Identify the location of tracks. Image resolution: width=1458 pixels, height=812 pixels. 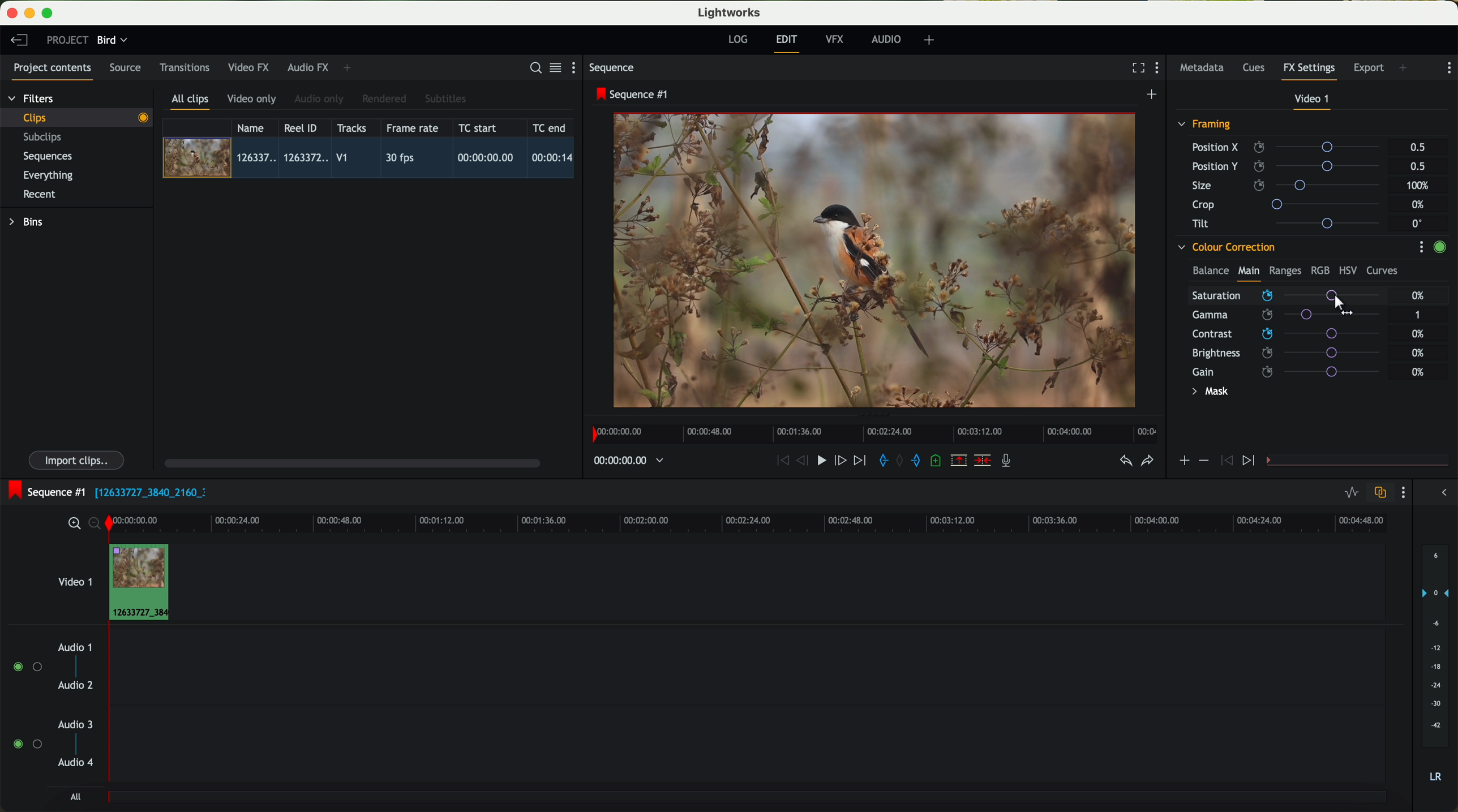
(350, 128).